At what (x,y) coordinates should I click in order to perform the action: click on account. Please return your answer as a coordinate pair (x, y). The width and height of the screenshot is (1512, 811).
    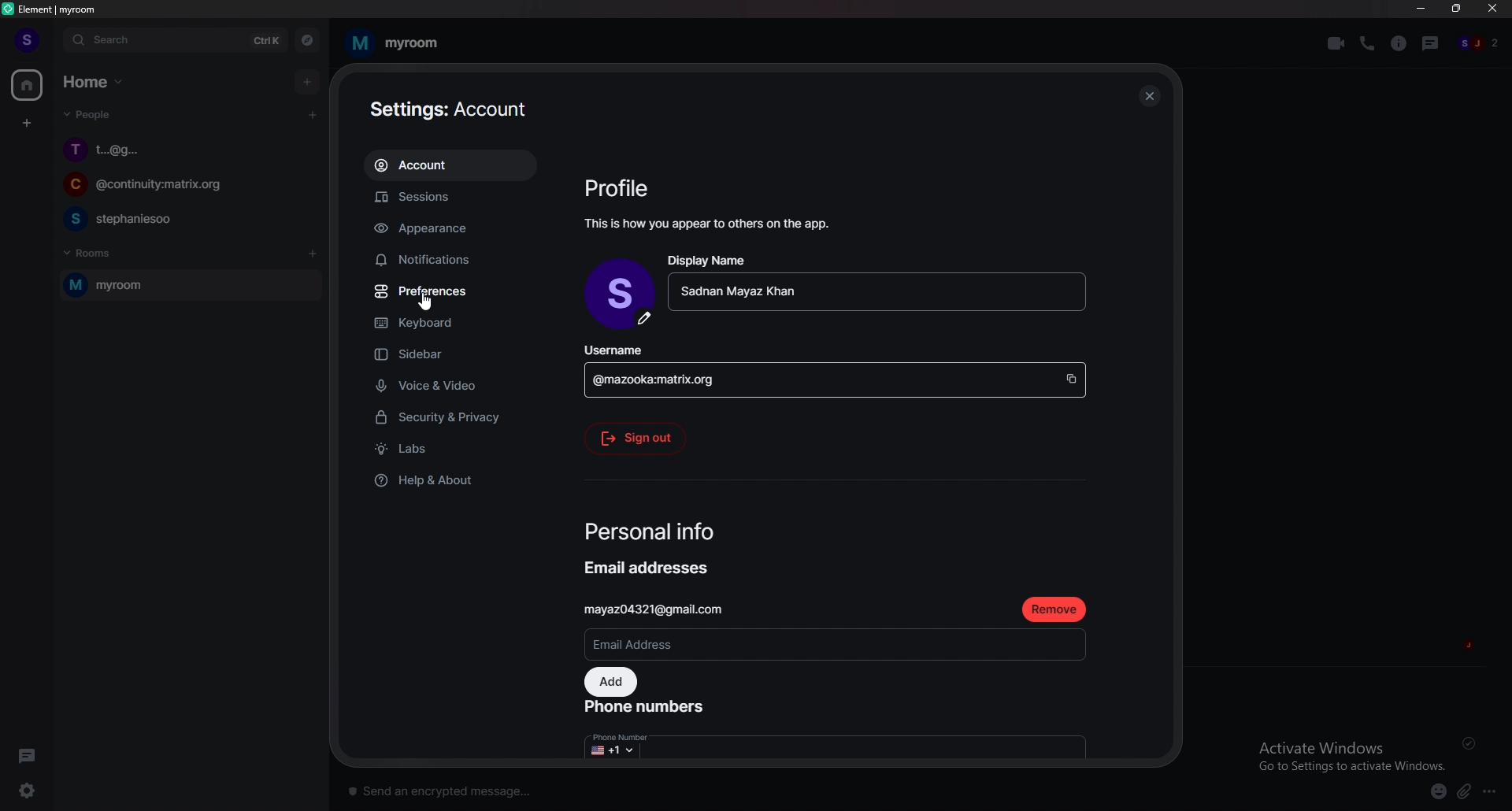
    Looking at the image, I should click on (449, 166).